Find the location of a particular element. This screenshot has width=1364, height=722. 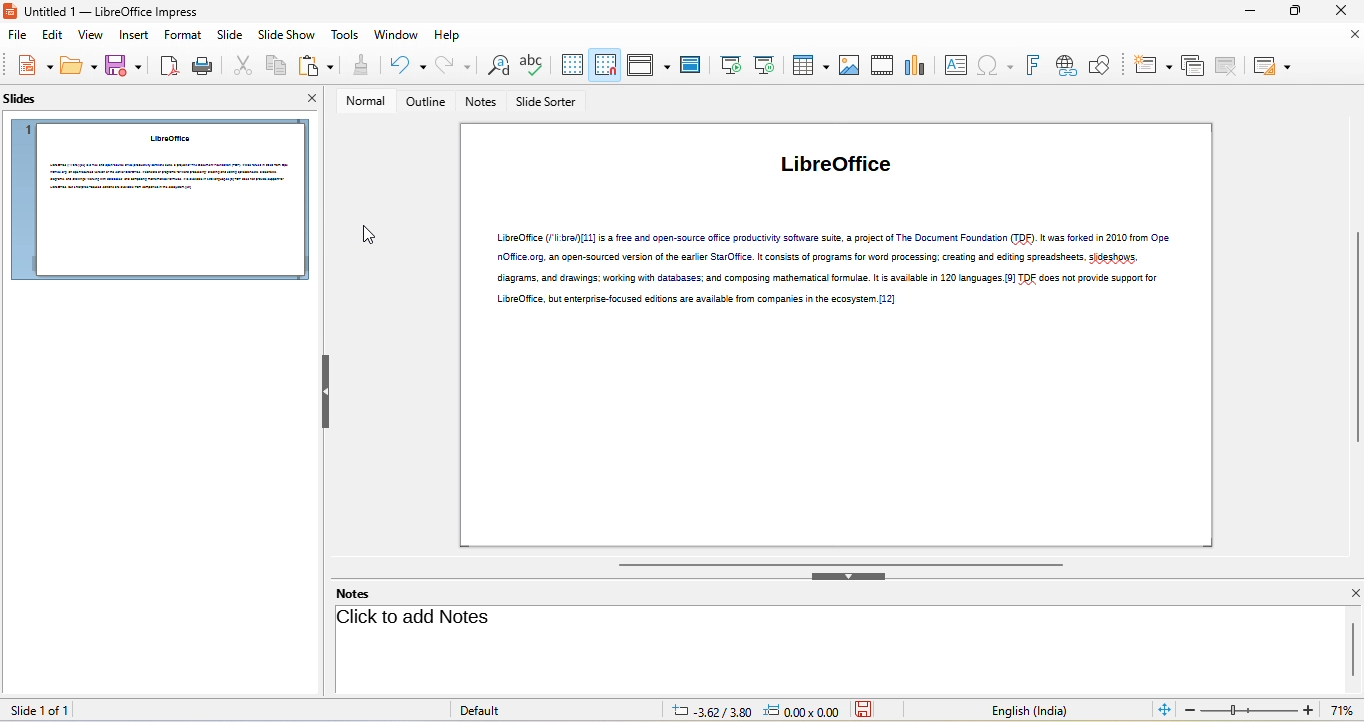

fit slide to current window is located at coordinates (1165, 711).